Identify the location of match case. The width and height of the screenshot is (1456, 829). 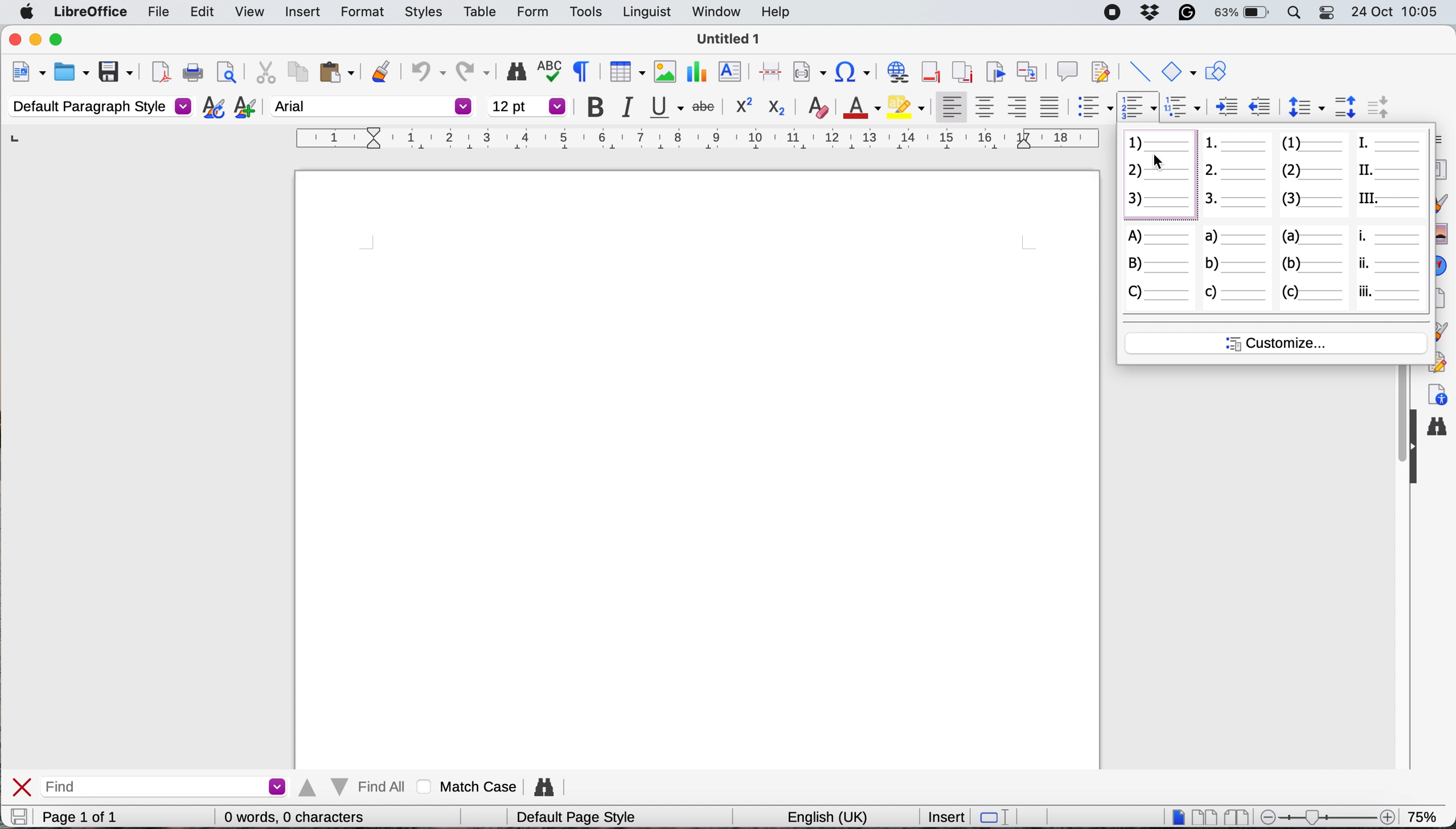
(470, 786).